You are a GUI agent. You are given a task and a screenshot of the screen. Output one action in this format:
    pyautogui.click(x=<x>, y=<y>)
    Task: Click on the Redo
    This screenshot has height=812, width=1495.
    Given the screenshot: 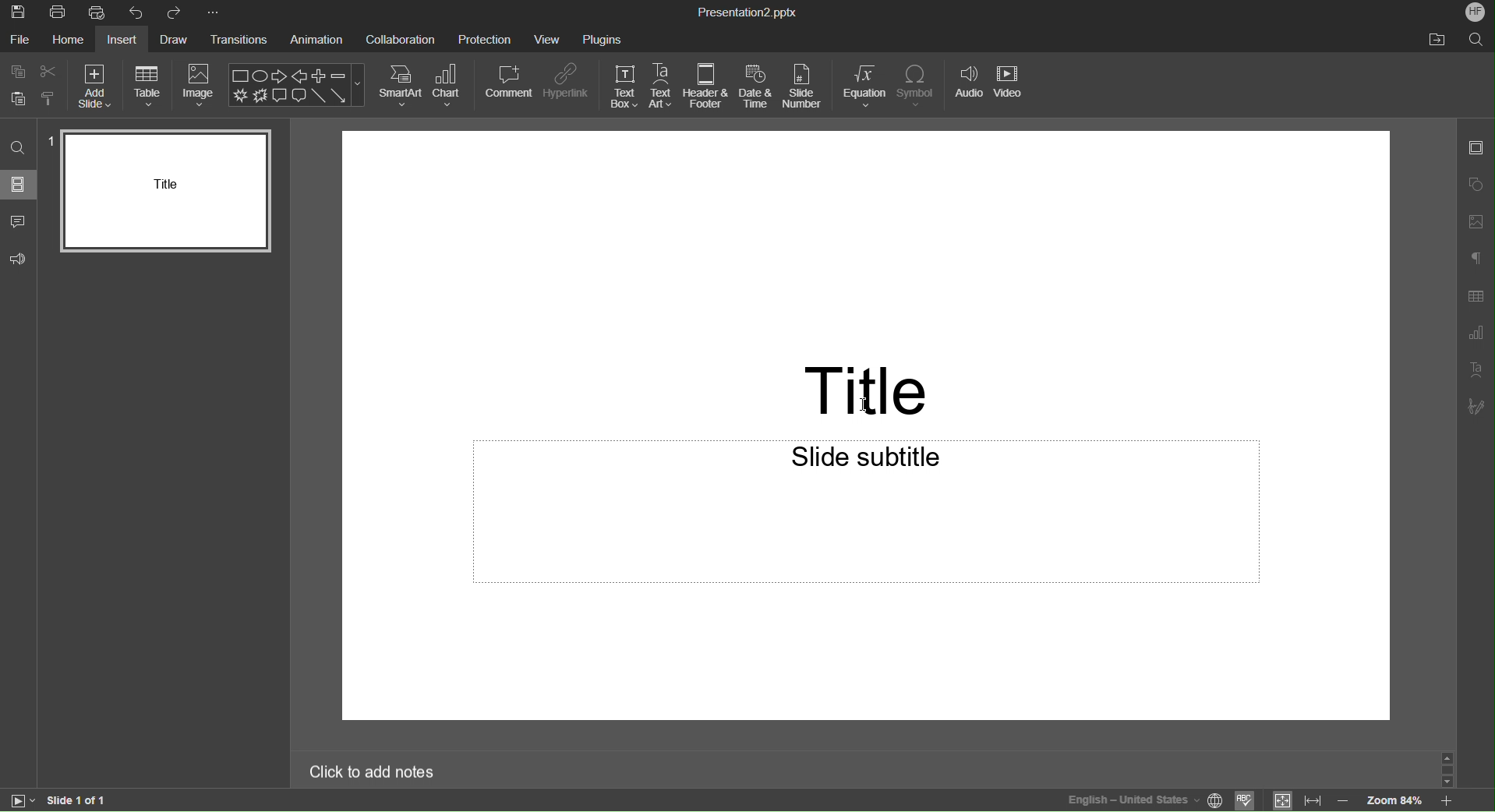 What is the action you would take?
    pyautogui.click(x=176, y=12)
    